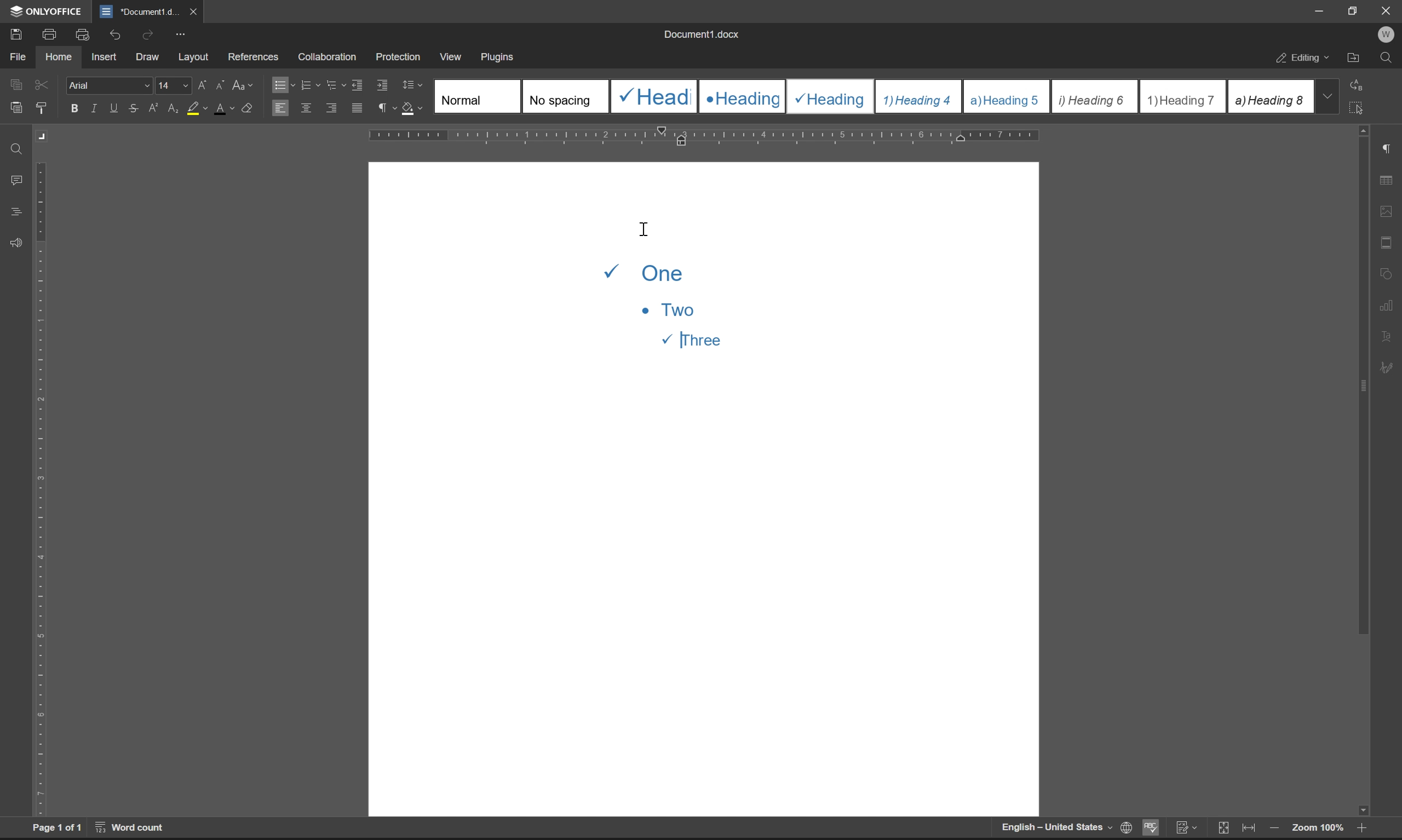 The height and width of the screenshot is (840, 1402). I want to click on fit to width, so click(1249, 828).